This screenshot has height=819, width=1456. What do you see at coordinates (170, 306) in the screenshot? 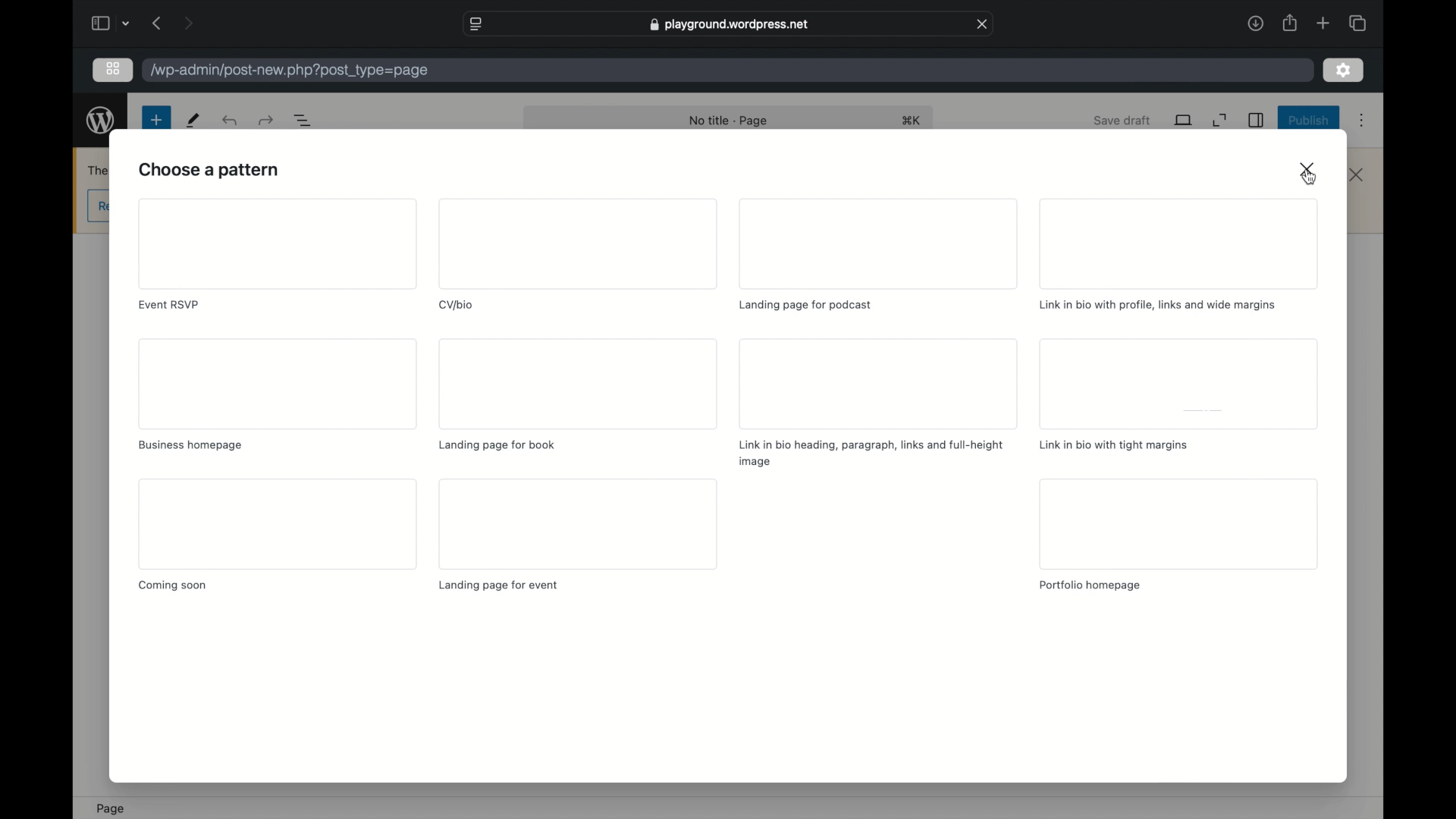
I see `event rsvp` at bounding box center [170, 306].